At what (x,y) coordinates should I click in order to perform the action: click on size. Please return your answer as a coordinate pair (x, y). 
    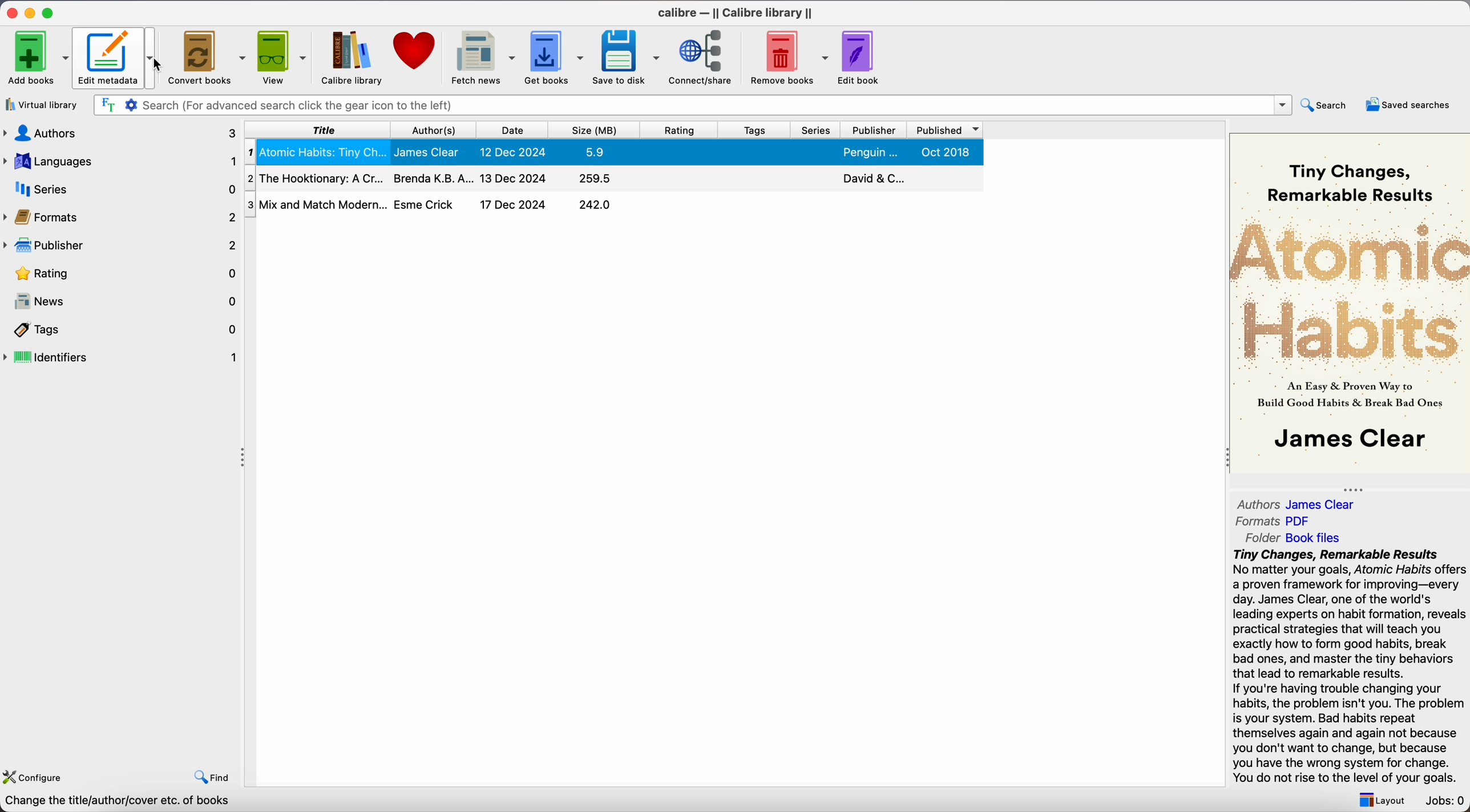
    Looking at the image, I should click on (595, 130).